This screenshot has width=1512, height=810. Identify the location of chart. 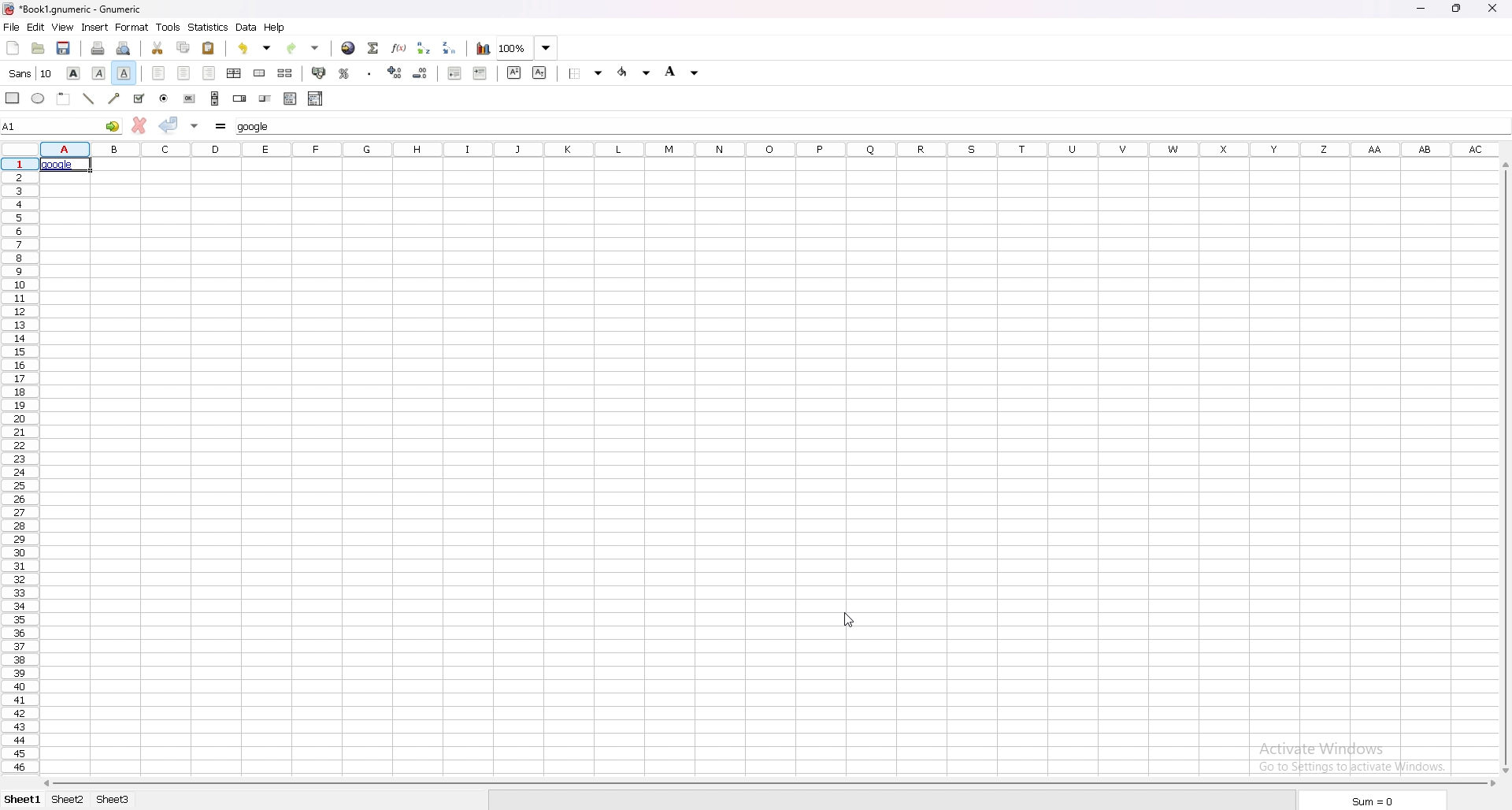
(484, 50).